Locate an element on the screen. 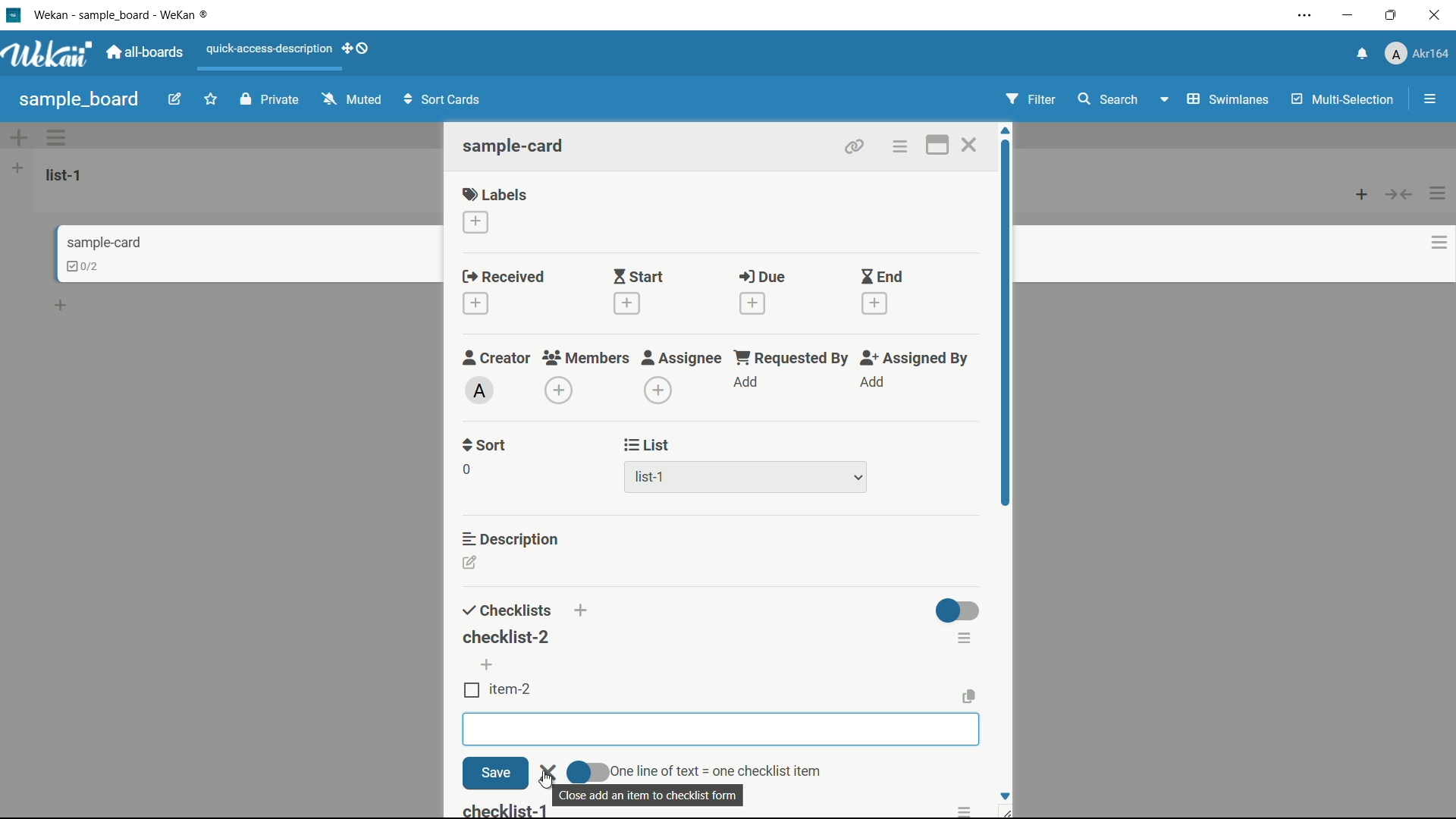  dropdown is located at coordinates (858, 479).